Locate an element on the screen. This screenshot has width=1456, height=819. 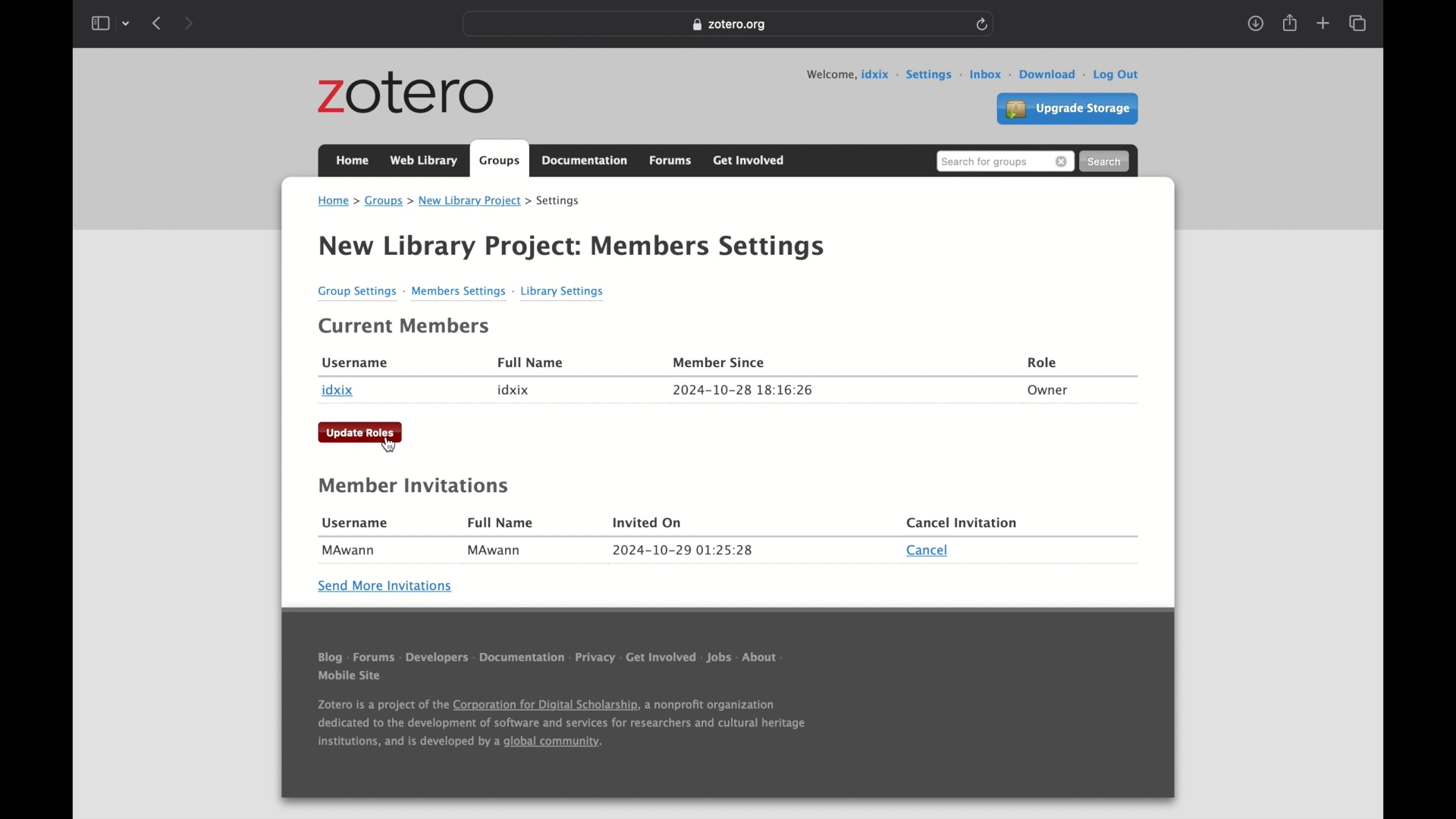
welcome is located at coordinates (830, 74).